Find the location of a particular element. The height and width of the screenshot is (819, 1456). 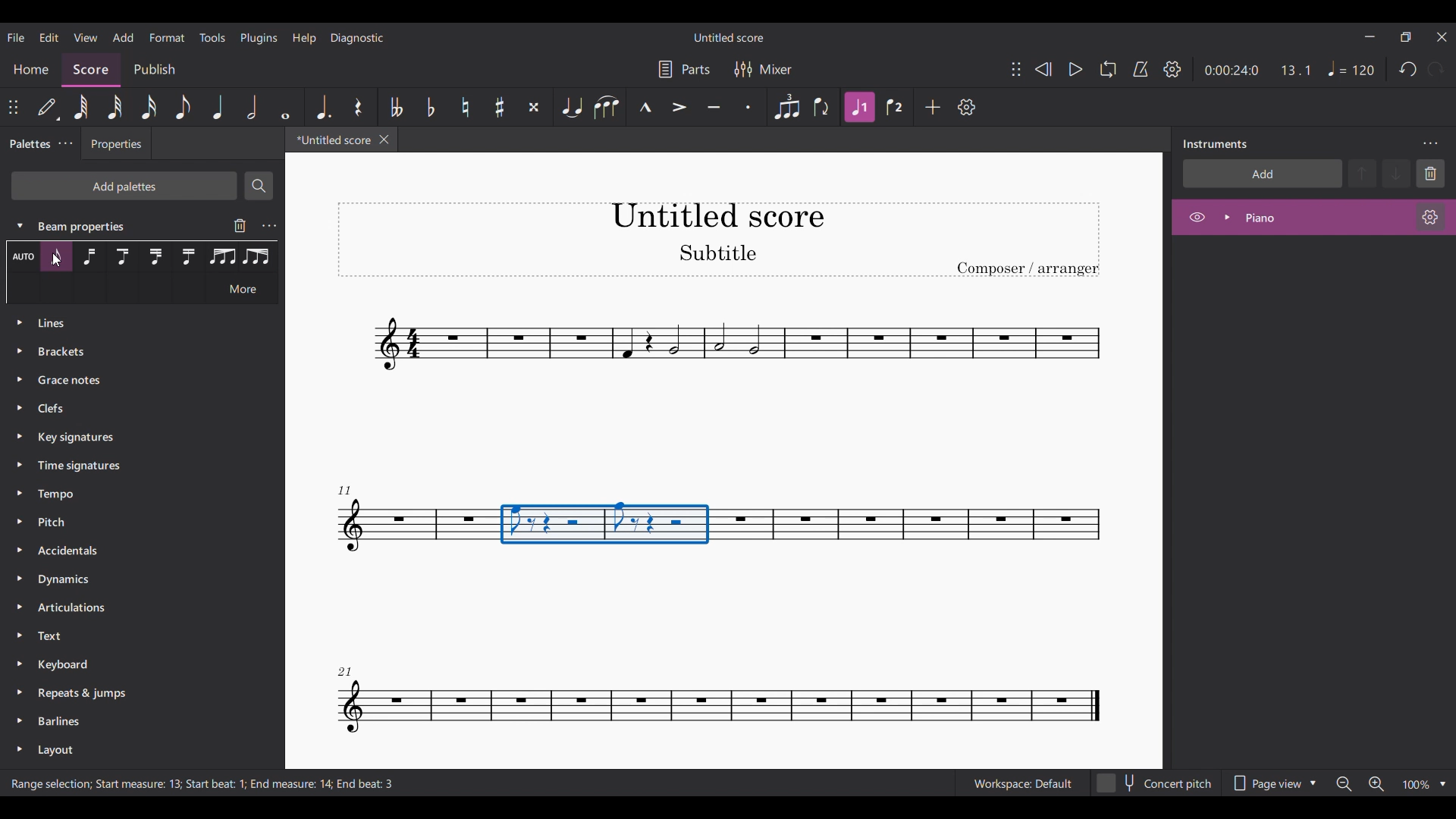

Properties panel is located at coordinates (116, 147).